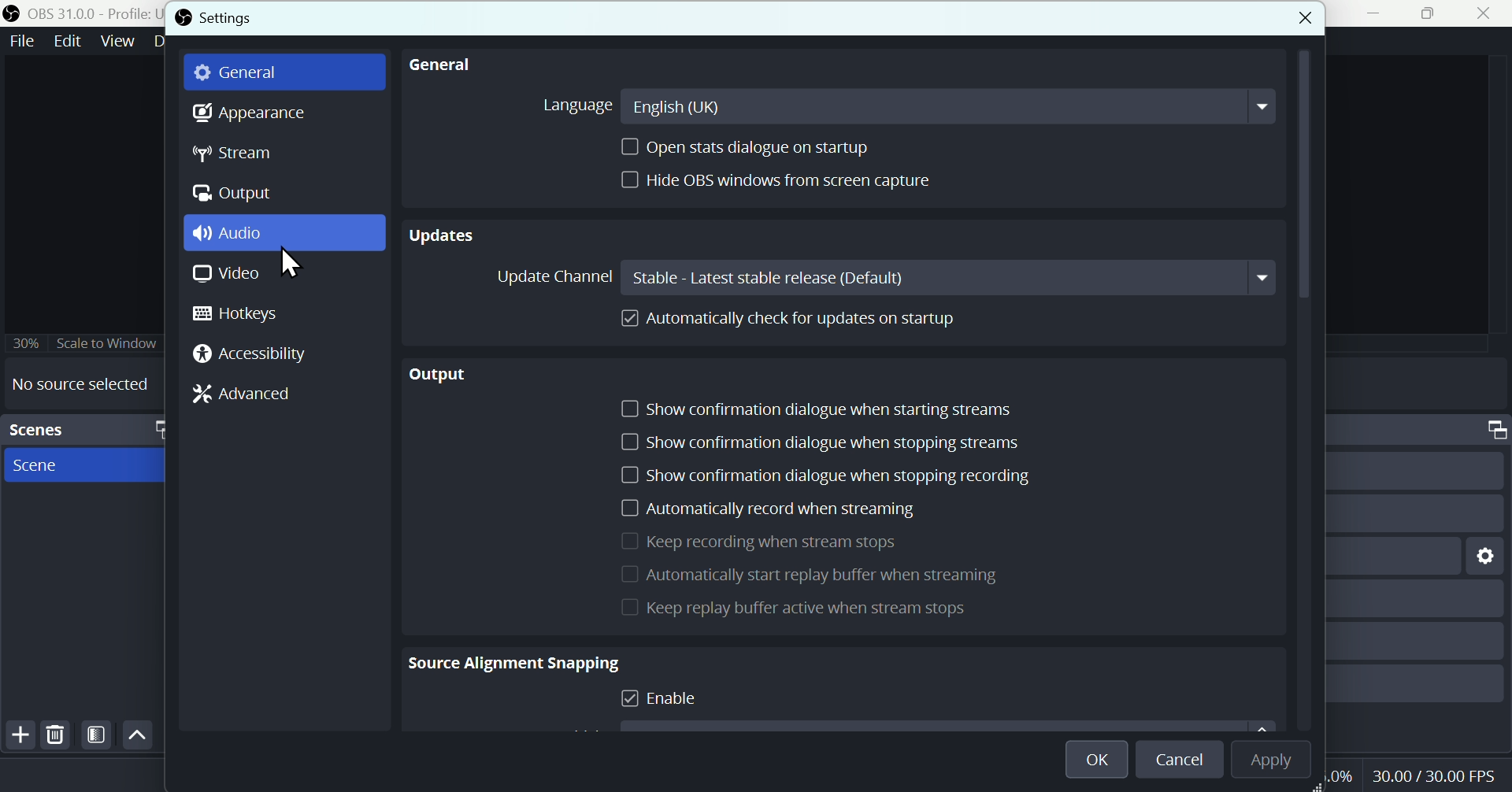 Image resolution: width=1512 pixels, height=792 pixels. Describe the element at coordinates (82, 429) in the screenshot. I see `scenes` at that location.